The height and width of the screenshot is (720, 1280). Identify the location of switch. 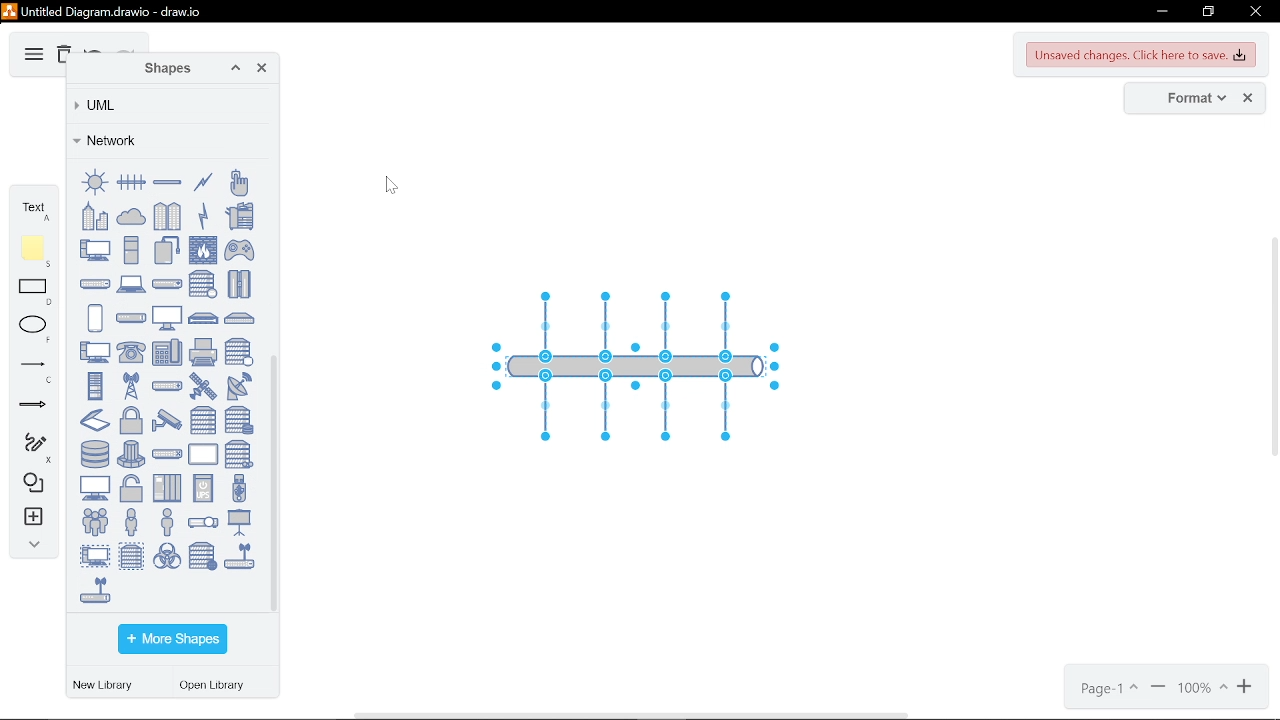
(167, 454).